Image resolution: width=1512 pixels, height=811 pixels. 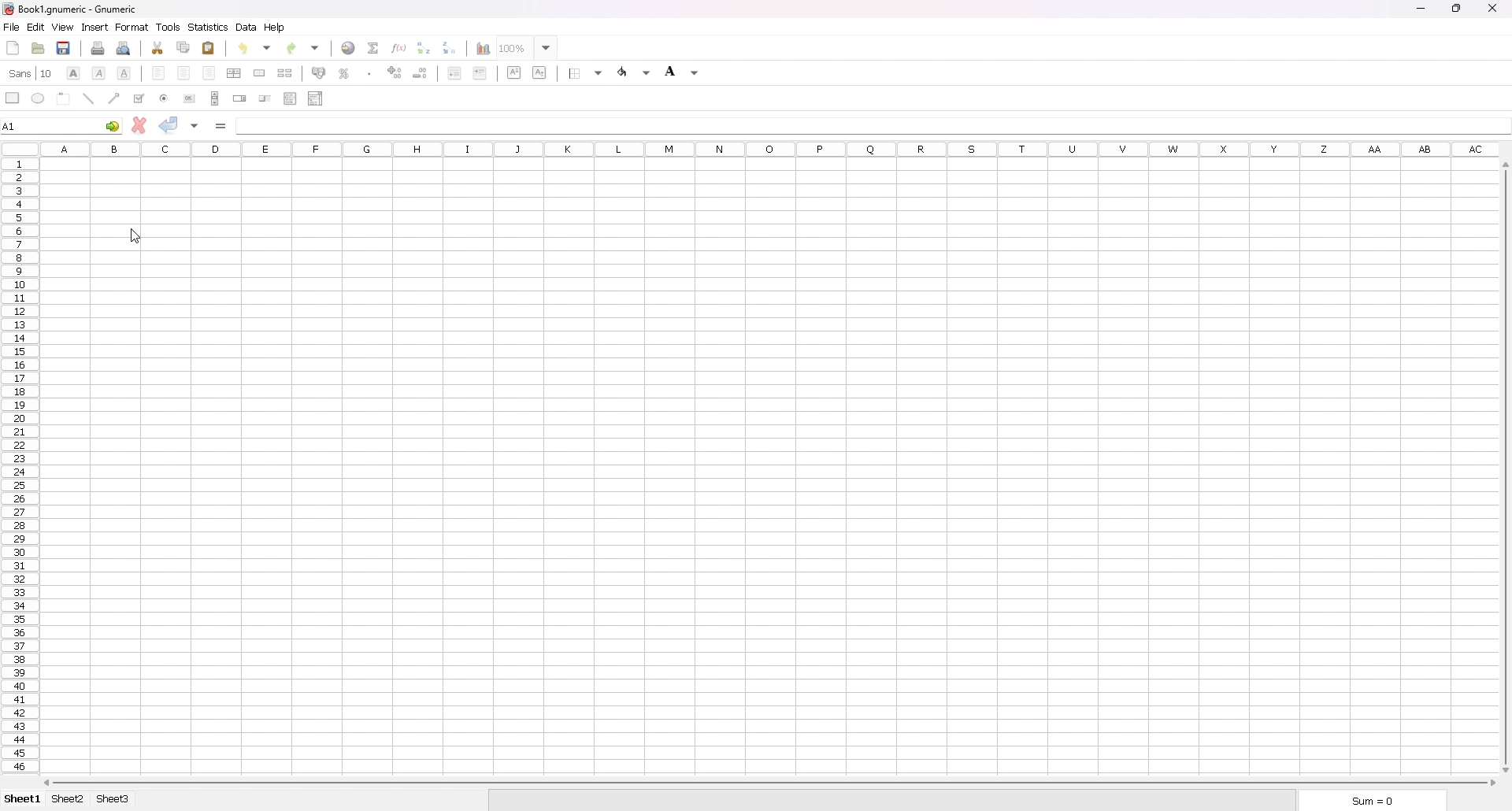 I want to click on paste, so click(x=209, y=47).